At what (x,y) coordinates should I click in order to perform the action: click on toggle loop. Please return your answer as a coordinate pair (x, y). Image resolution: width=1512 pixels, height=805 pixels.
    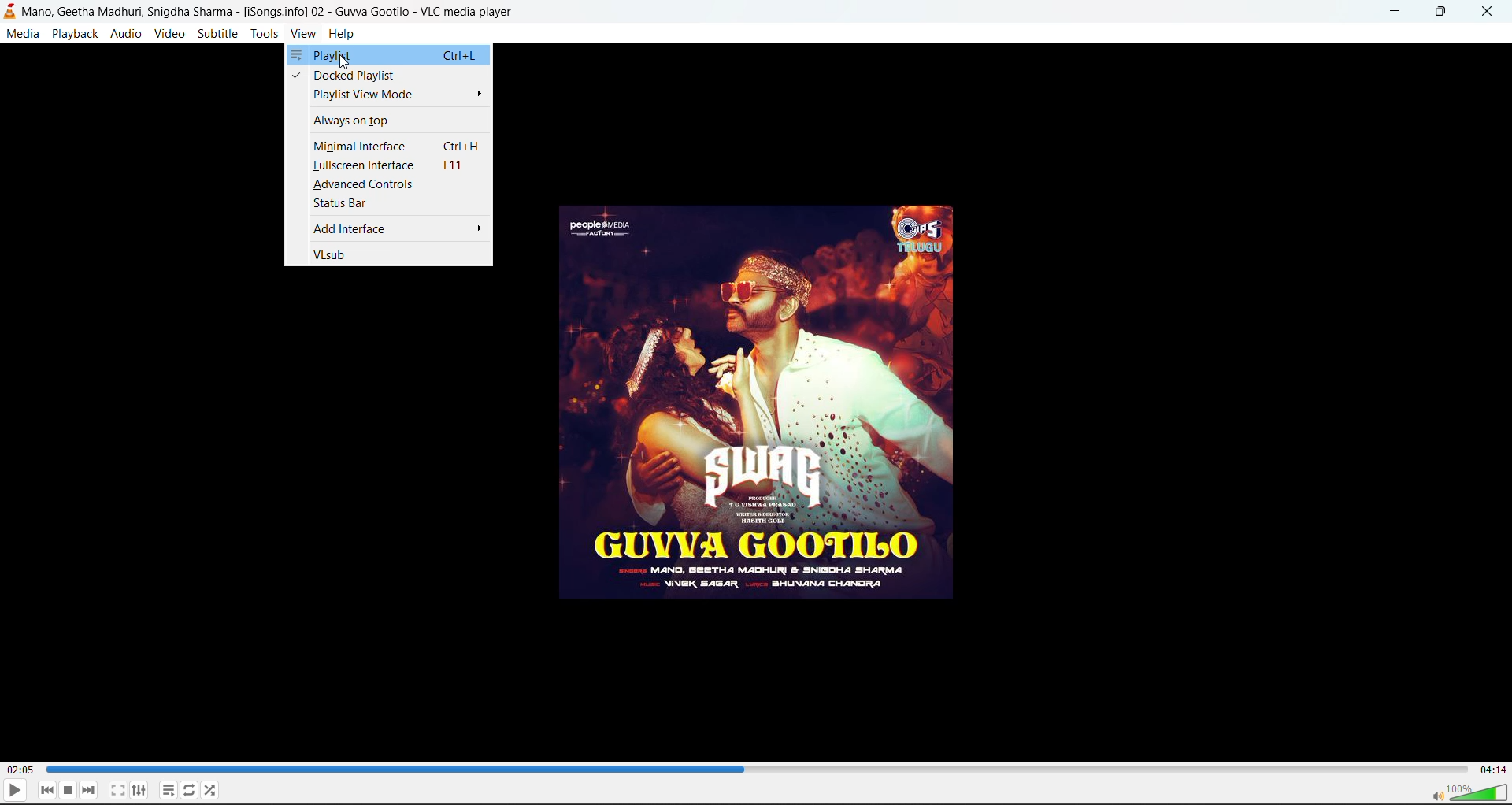
    Looking at the image, I should click on (190, 789).